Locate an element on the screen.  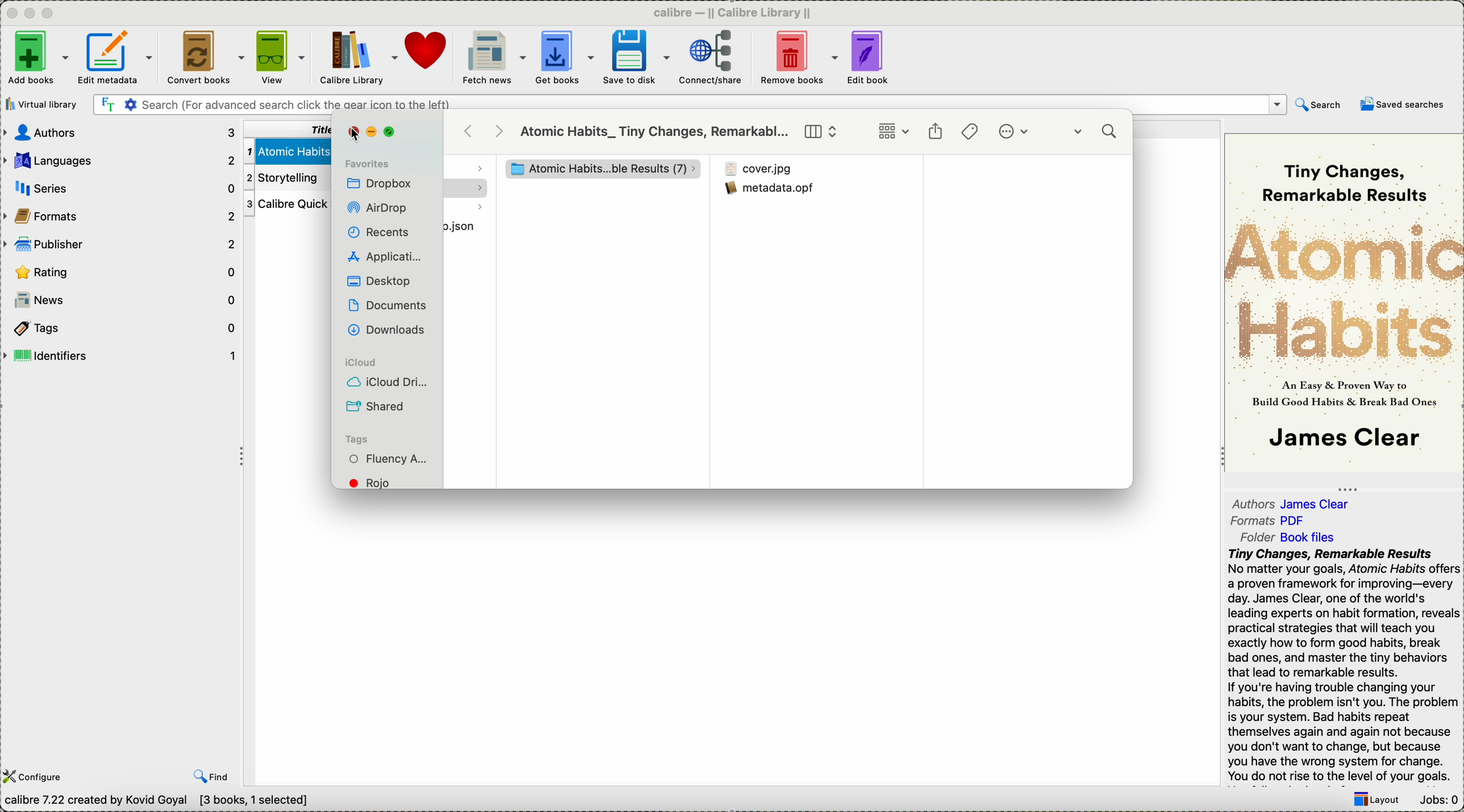
column list is located at coordinates (822, 132).